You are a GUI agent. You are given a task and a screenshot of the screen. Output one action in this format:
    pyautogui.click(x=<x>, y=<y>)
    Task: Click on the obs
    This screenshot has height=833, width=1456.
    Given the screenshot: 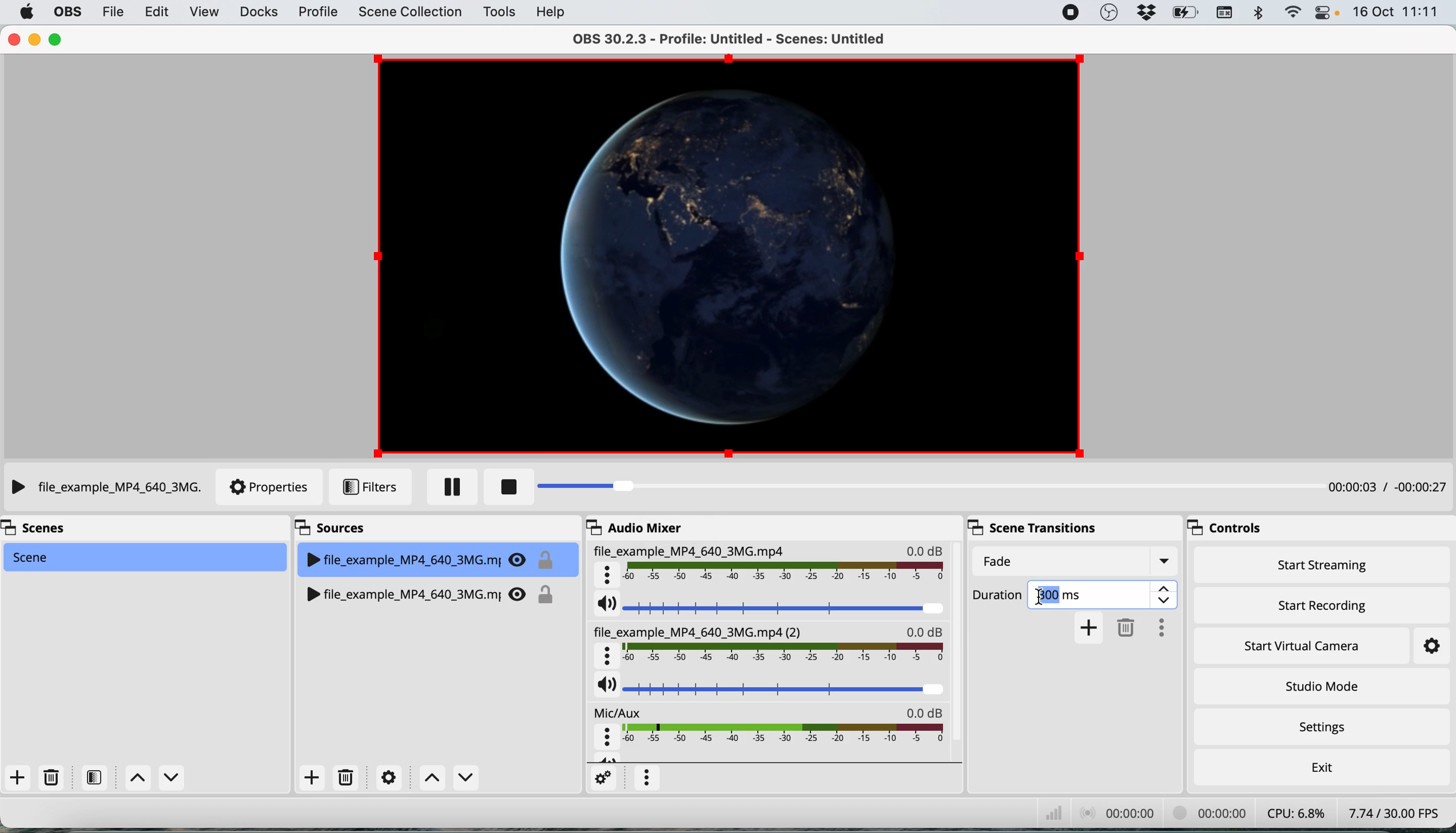 What is the action you would take?
    pyautogui.click(x=67, y=13)
    